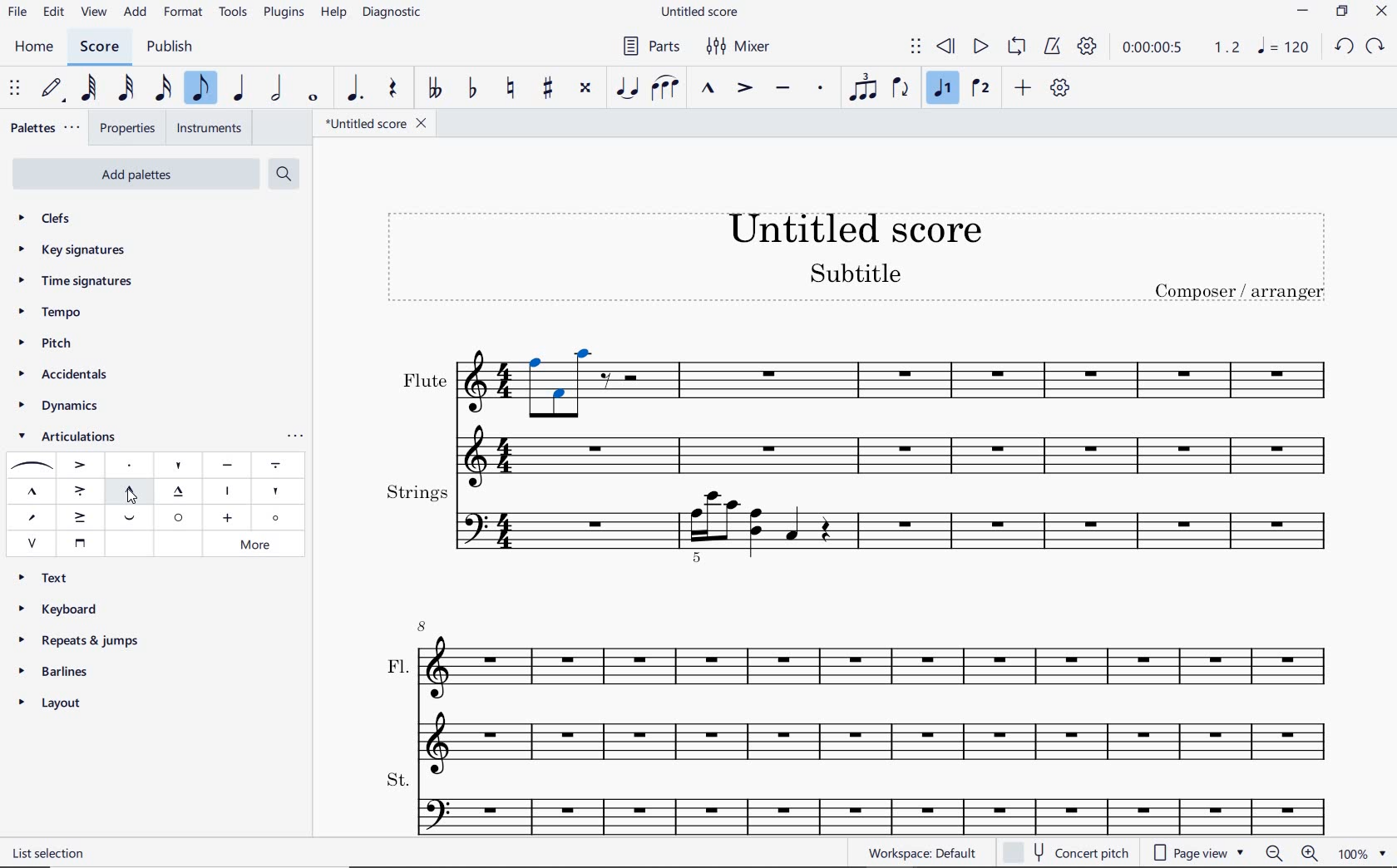 The width and height of the screenshot is (1397, 868). Describe the element at coordinates (626, 86) in the screenshot. I see `TIE` at that location.